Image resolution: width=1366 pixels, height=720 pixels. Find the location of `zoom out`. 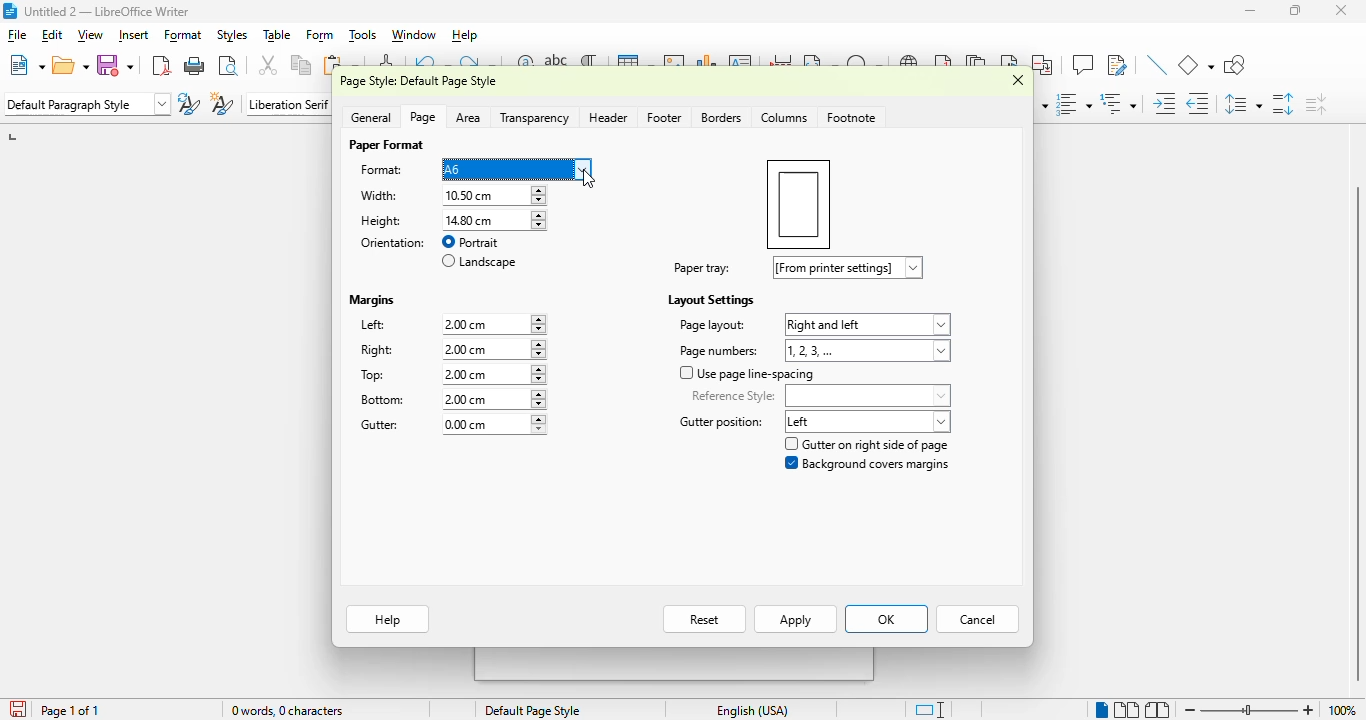

zoom out is located at coordinates (1191, 710).